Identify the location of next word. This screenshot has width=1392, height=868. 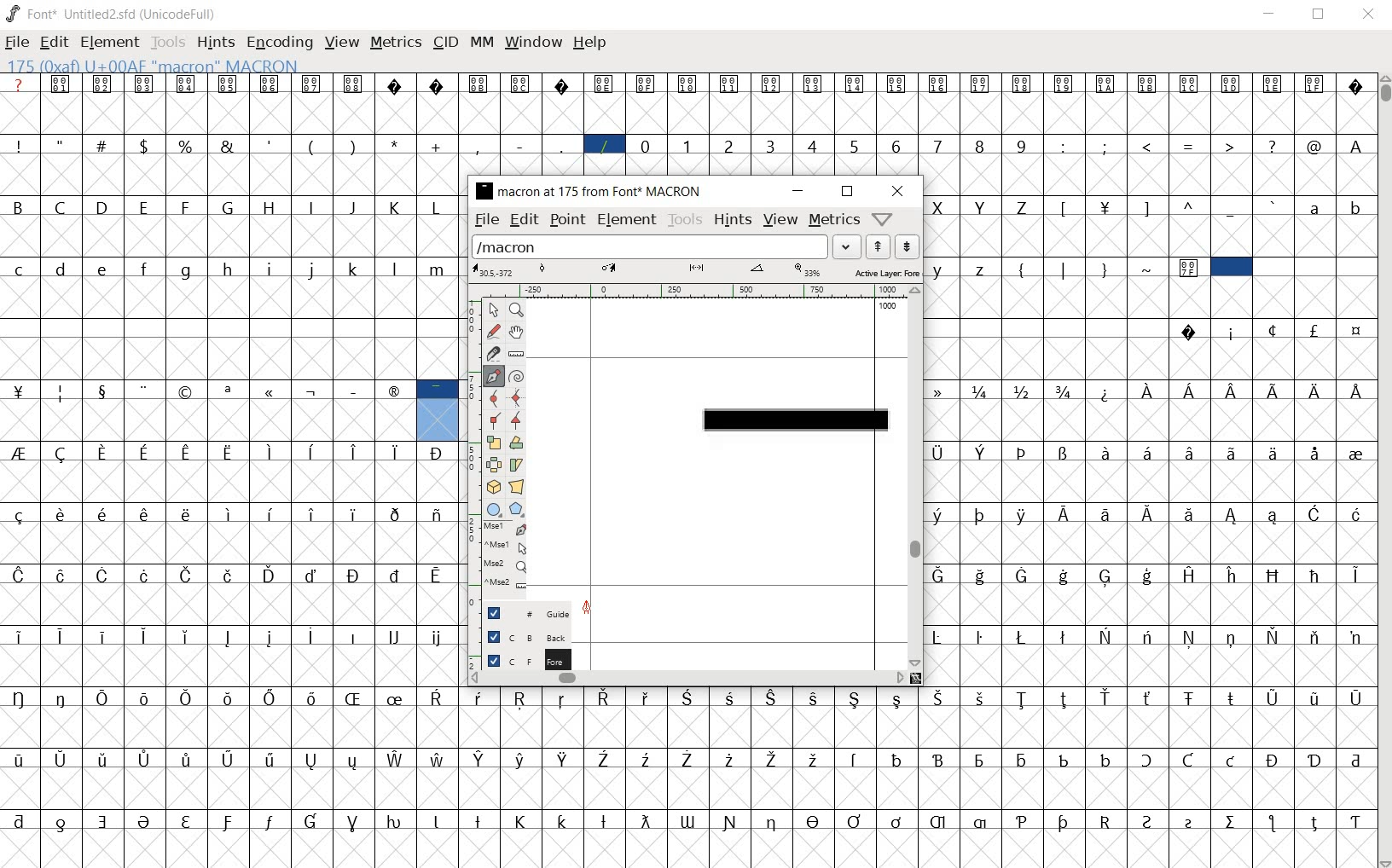
(908, 246).